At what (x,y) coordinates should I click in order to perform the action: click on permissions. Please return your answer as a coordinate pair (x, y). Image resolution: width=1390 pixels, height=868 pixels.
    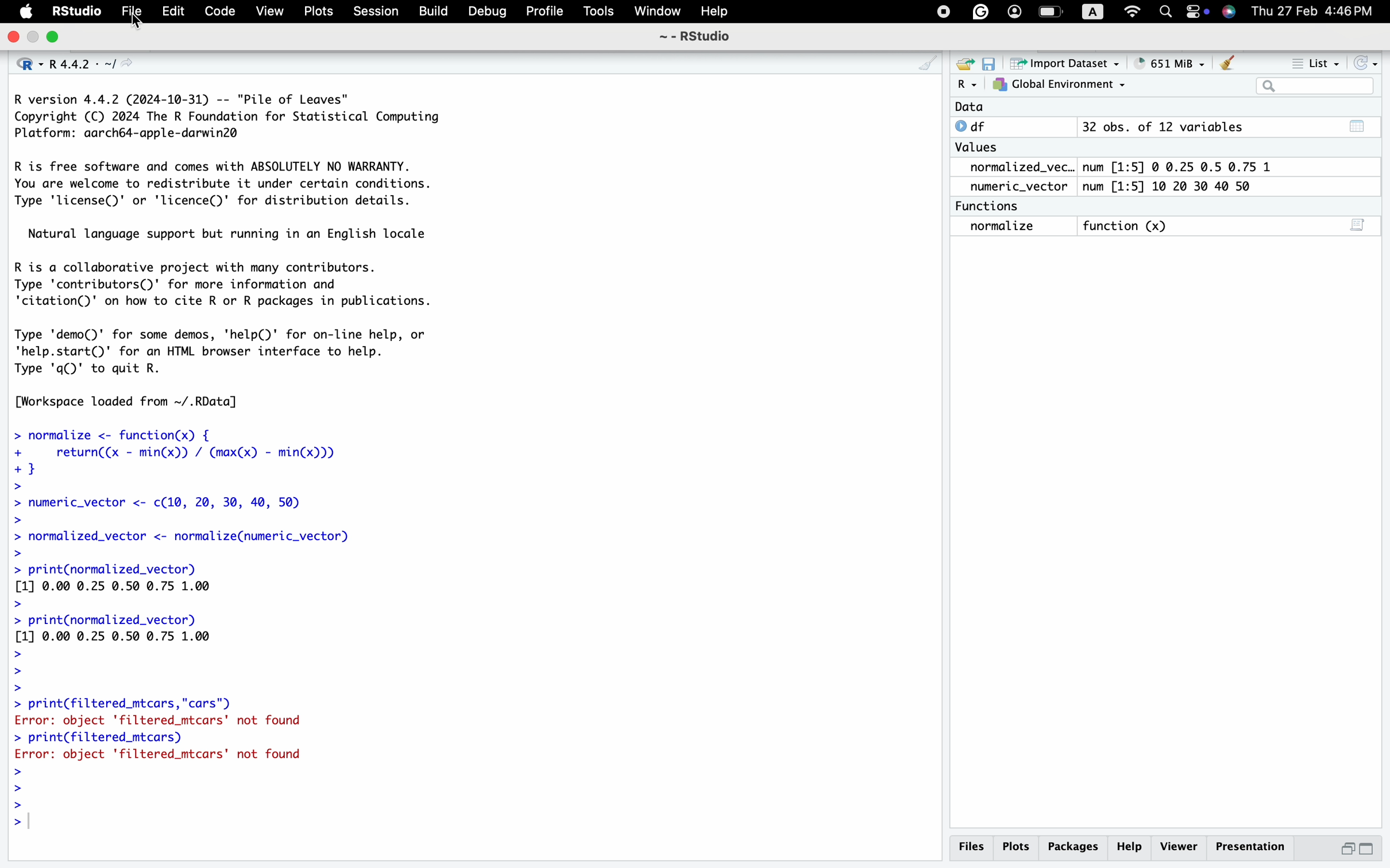
    Looking at the image, I should click on (1195, 13).